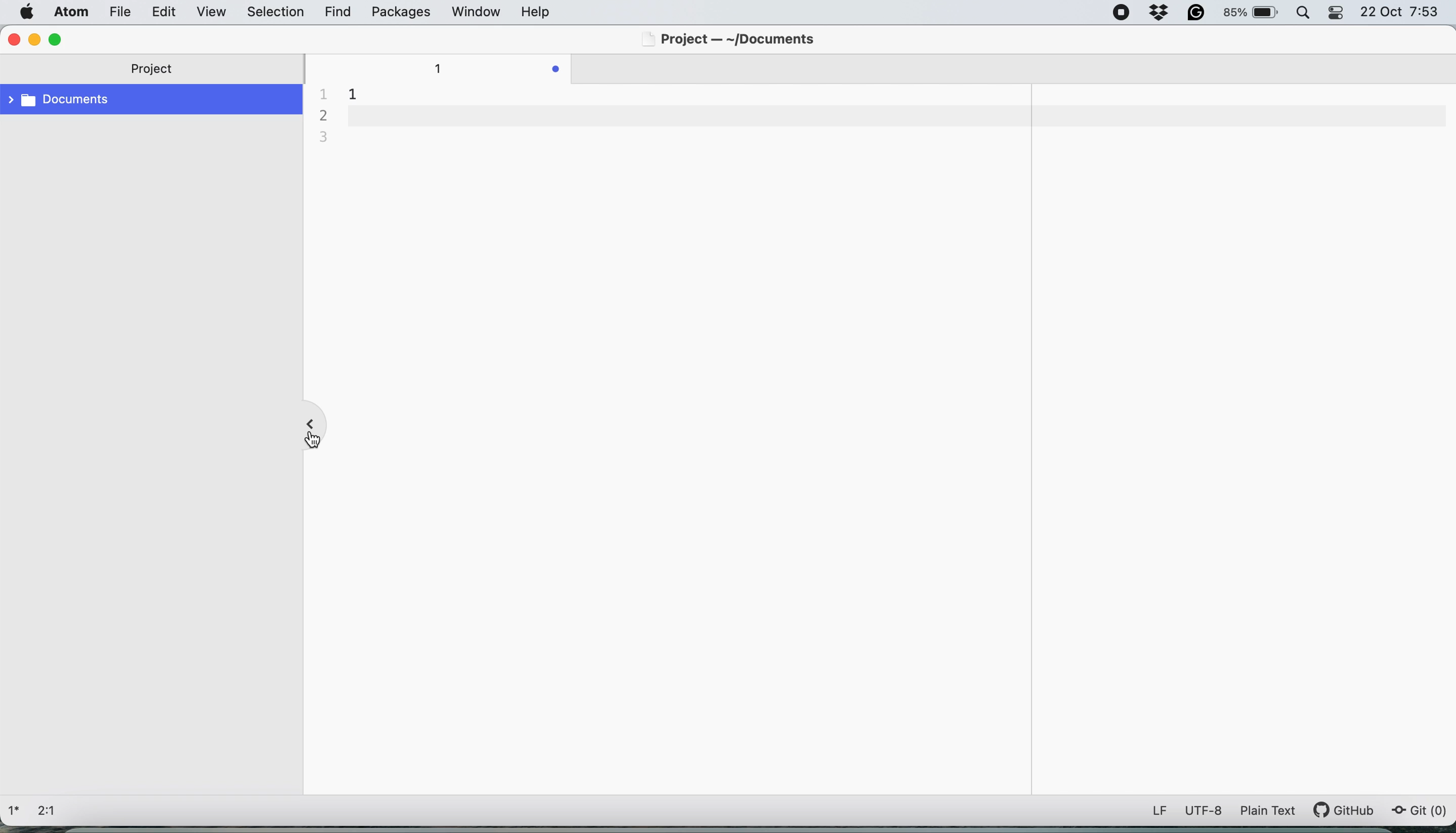  What do you see at coordinates (276, 13) in the screenshot?
I see `selection` at bounding box center [276, 13].